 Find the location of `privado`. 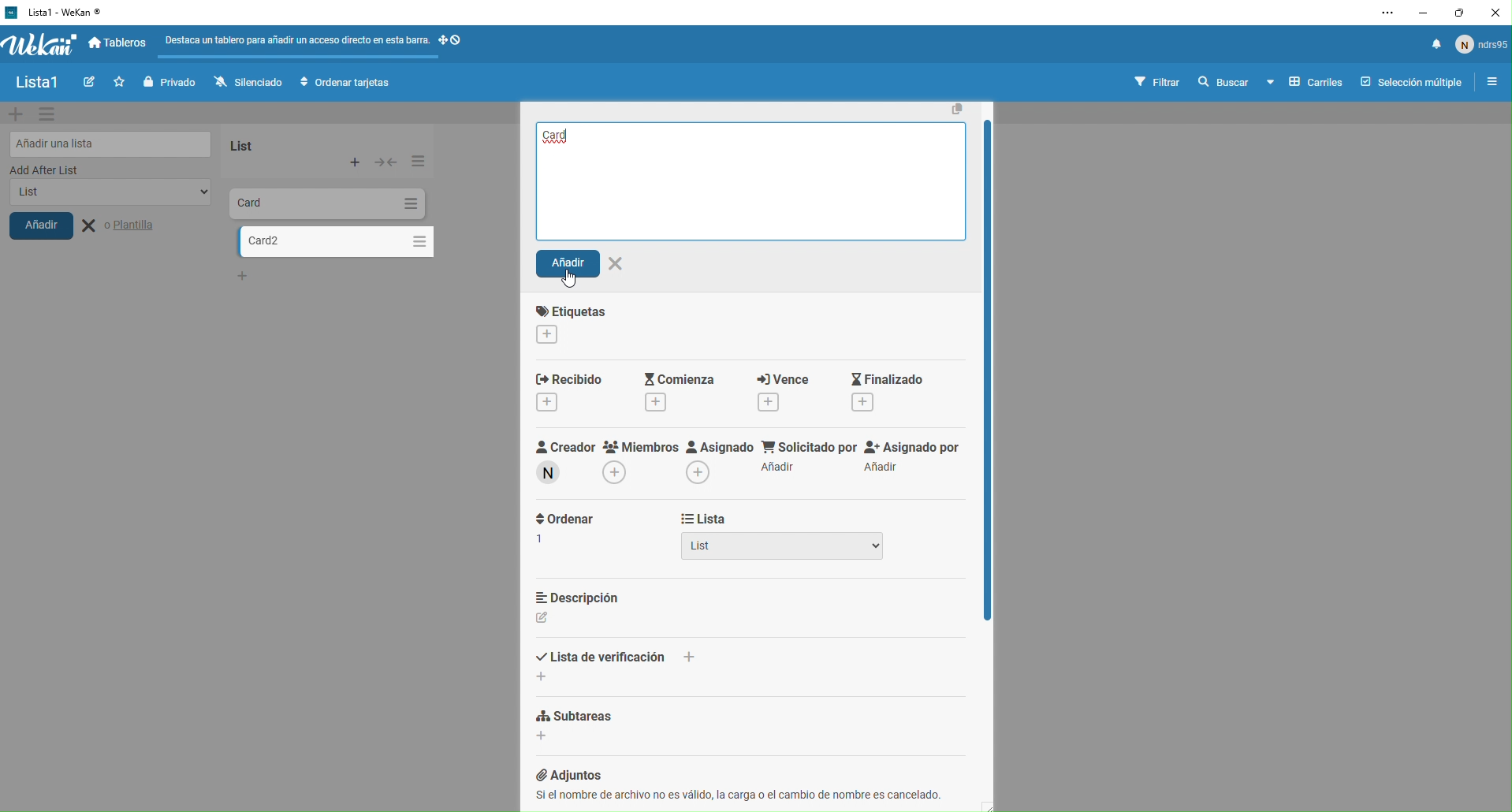

privado is located at coordinates (168, 82).